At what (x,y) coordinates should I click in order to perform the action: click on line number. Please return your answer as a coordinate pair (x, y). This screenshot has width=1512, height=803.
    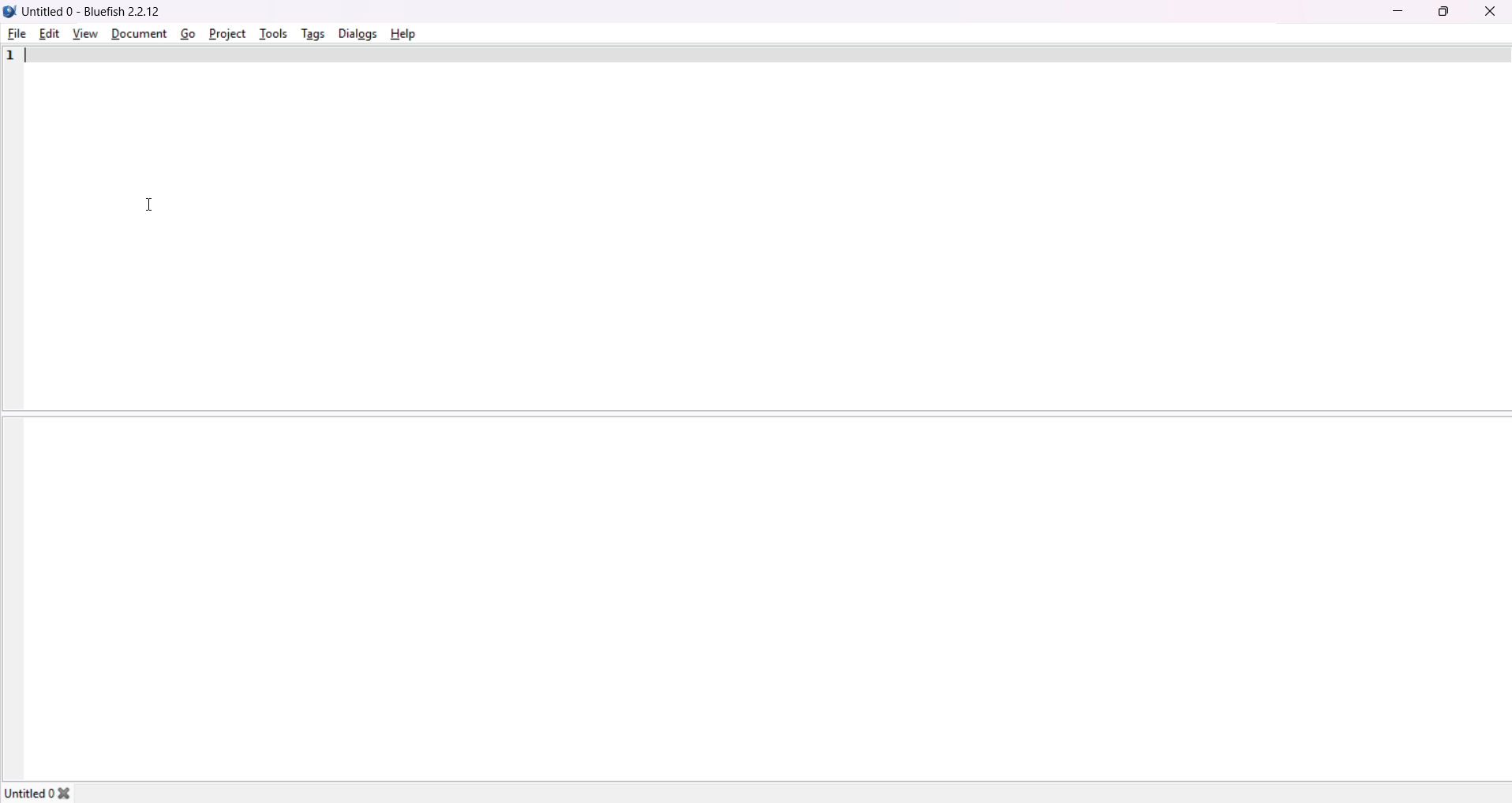
    Looking at the image, I should click on (10, 57).